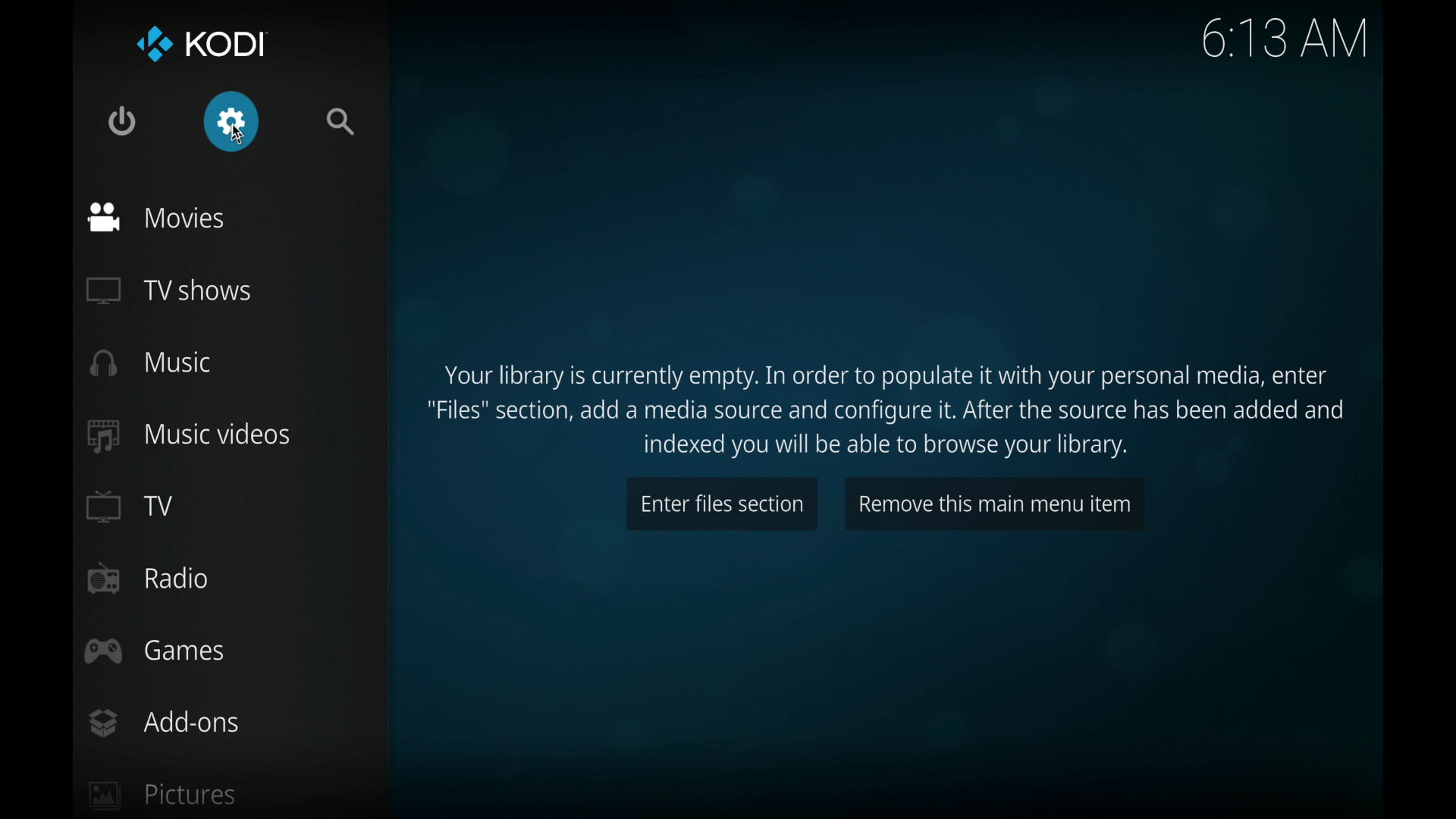 This screenshot has height=819, width=1456. Describe the element at coordinates (155, 651) in the screenshot. I see `games` at that location.